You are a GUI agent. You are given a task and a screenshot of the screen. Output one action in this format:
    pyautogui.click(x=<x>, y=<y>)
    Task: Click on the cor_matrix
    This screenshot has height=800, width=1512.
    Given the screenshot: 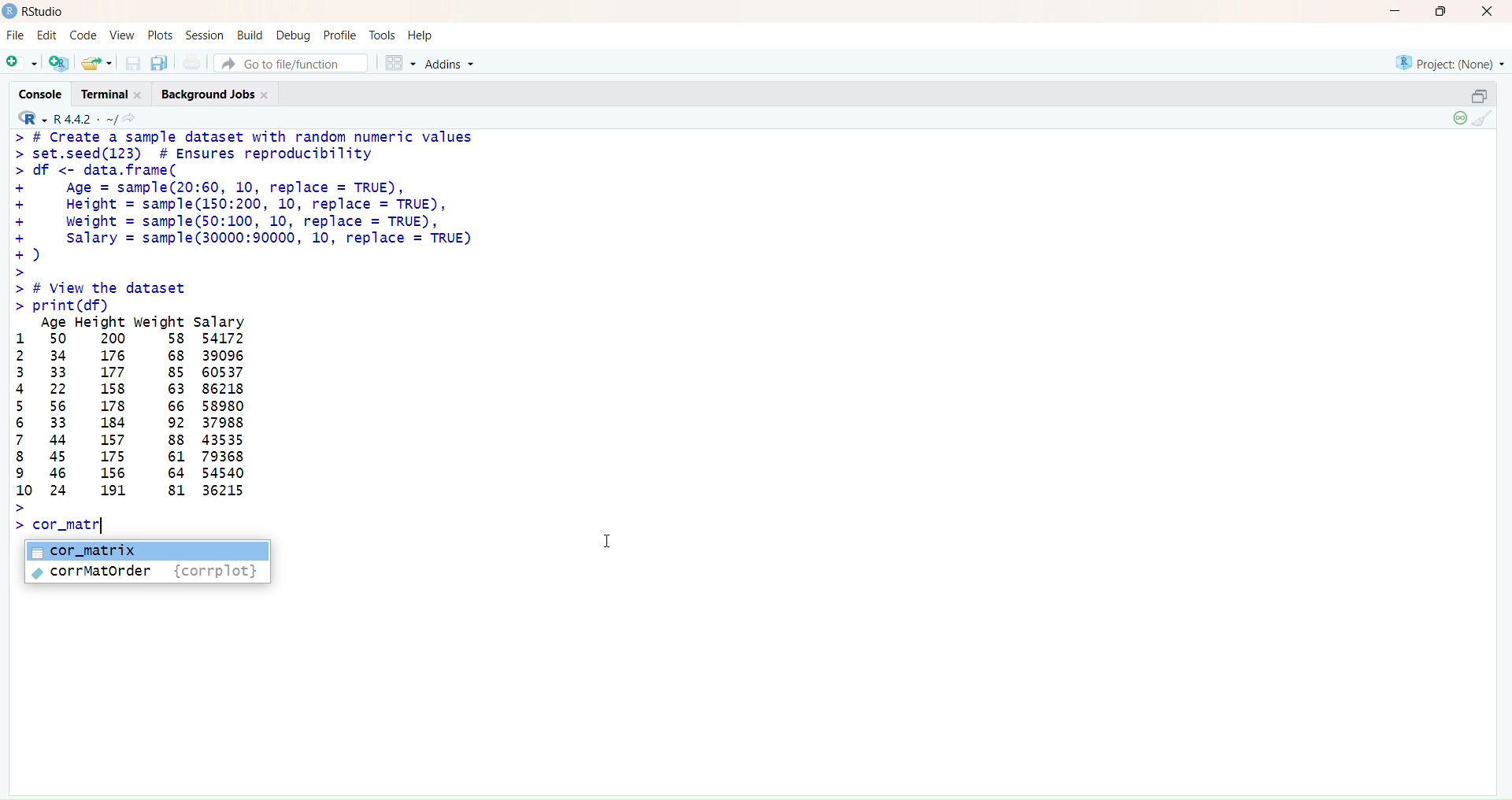 What is the action you would take?
    pyautogui.click(x=146, y=550)
    